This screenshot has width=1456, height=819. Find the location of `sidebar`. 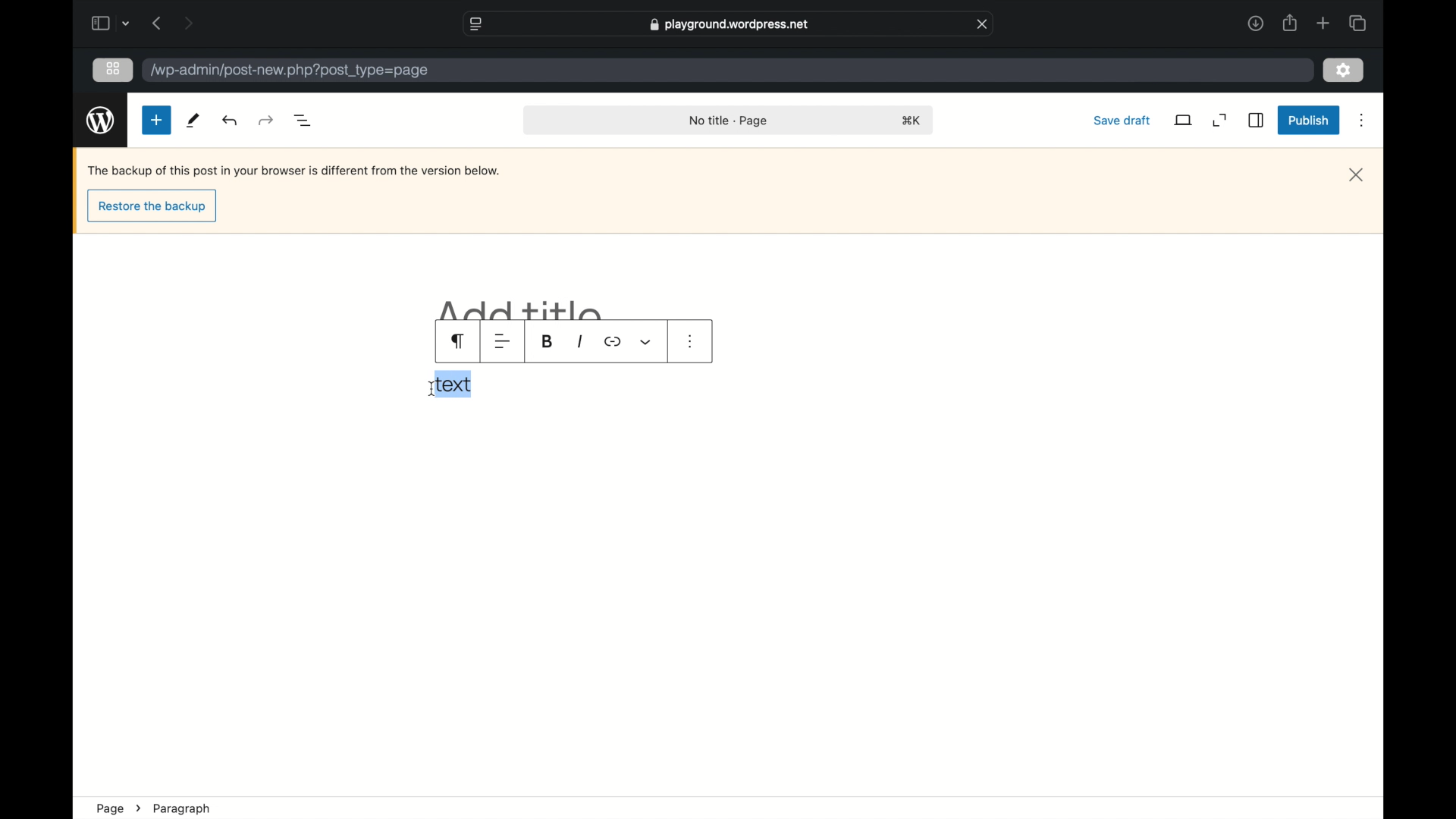

sidebar is located at coordinates (99, 23).